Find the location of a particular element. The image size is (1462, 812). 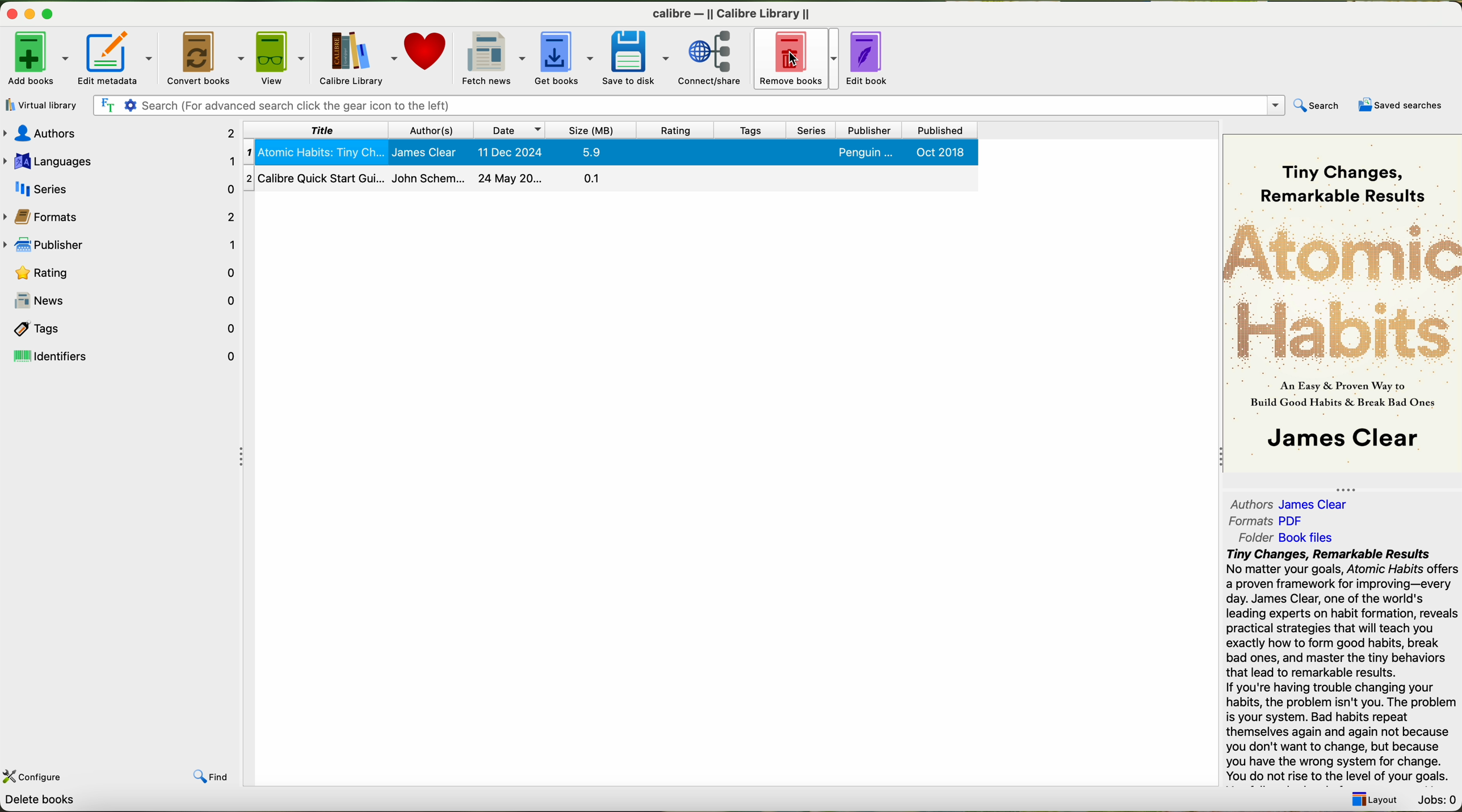

summary is located at coordinates (1342, 667).